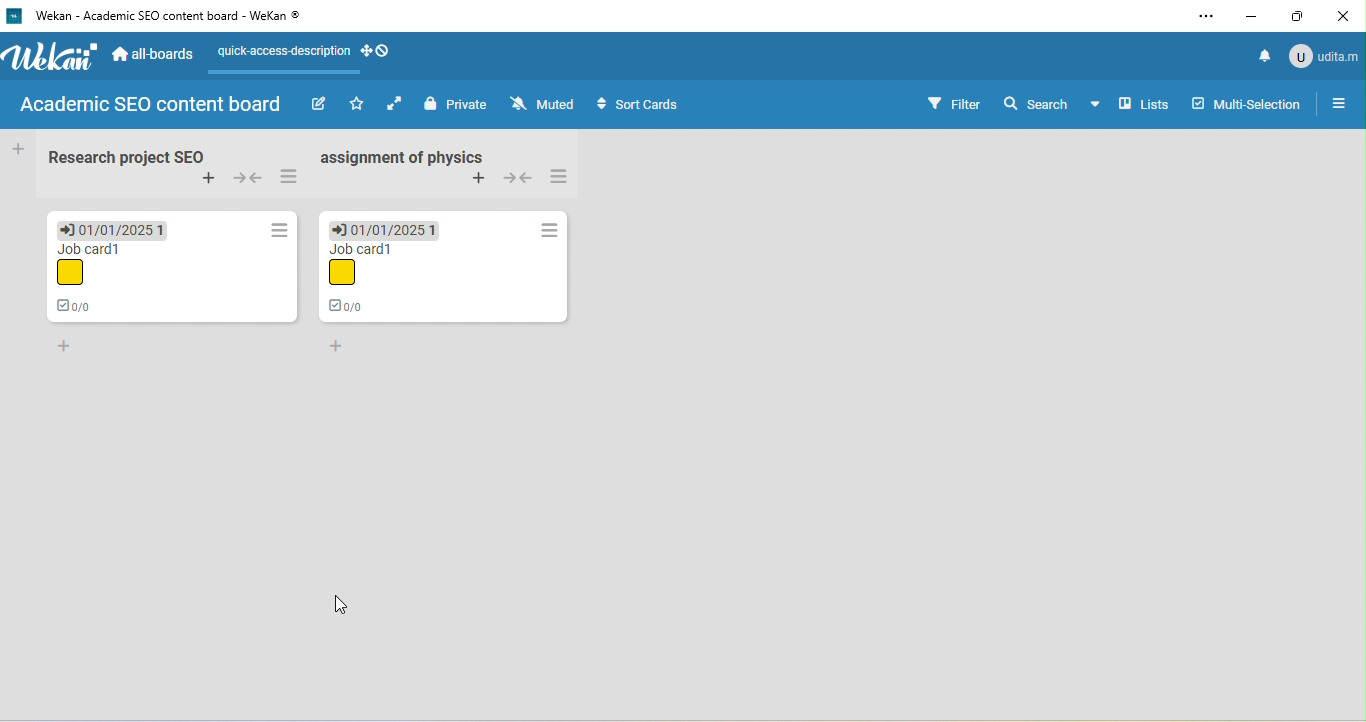 This screenshot has height=722, width=1366. I want to click on lists, so click(1143, 105).